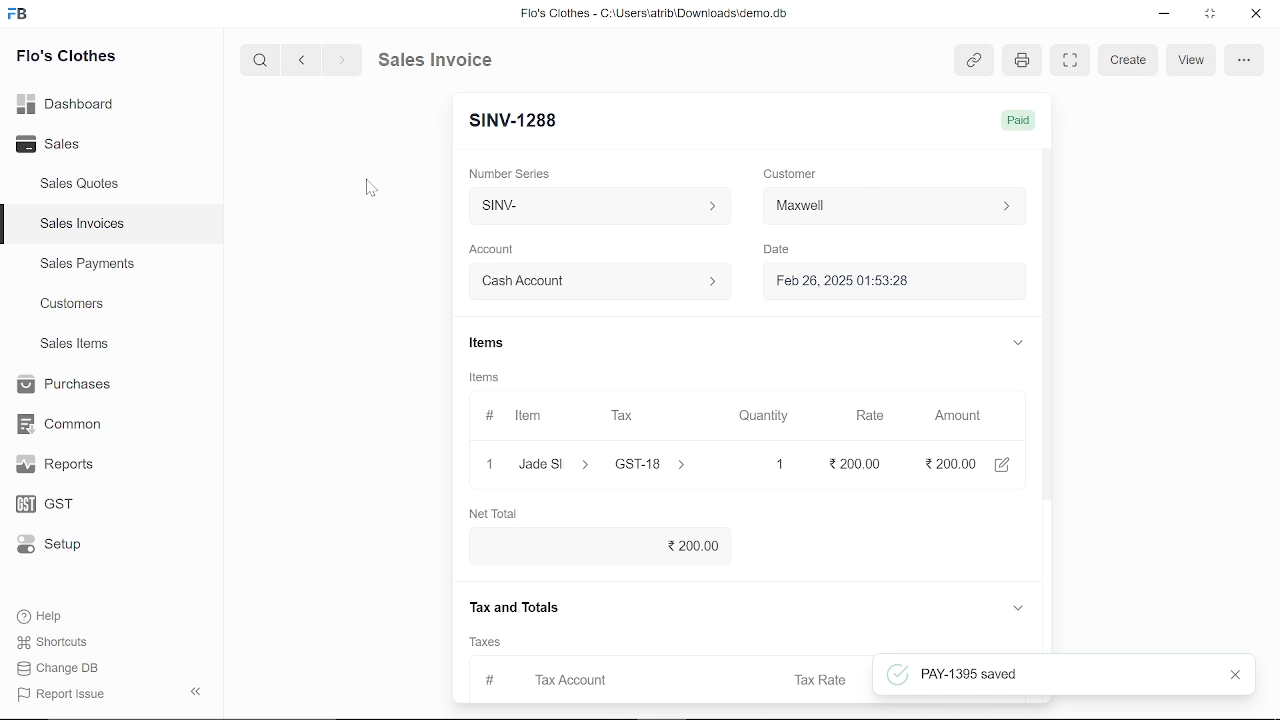  Describe the element at coordinates (1254, 15) in the screenshot. I see `close` at that location.